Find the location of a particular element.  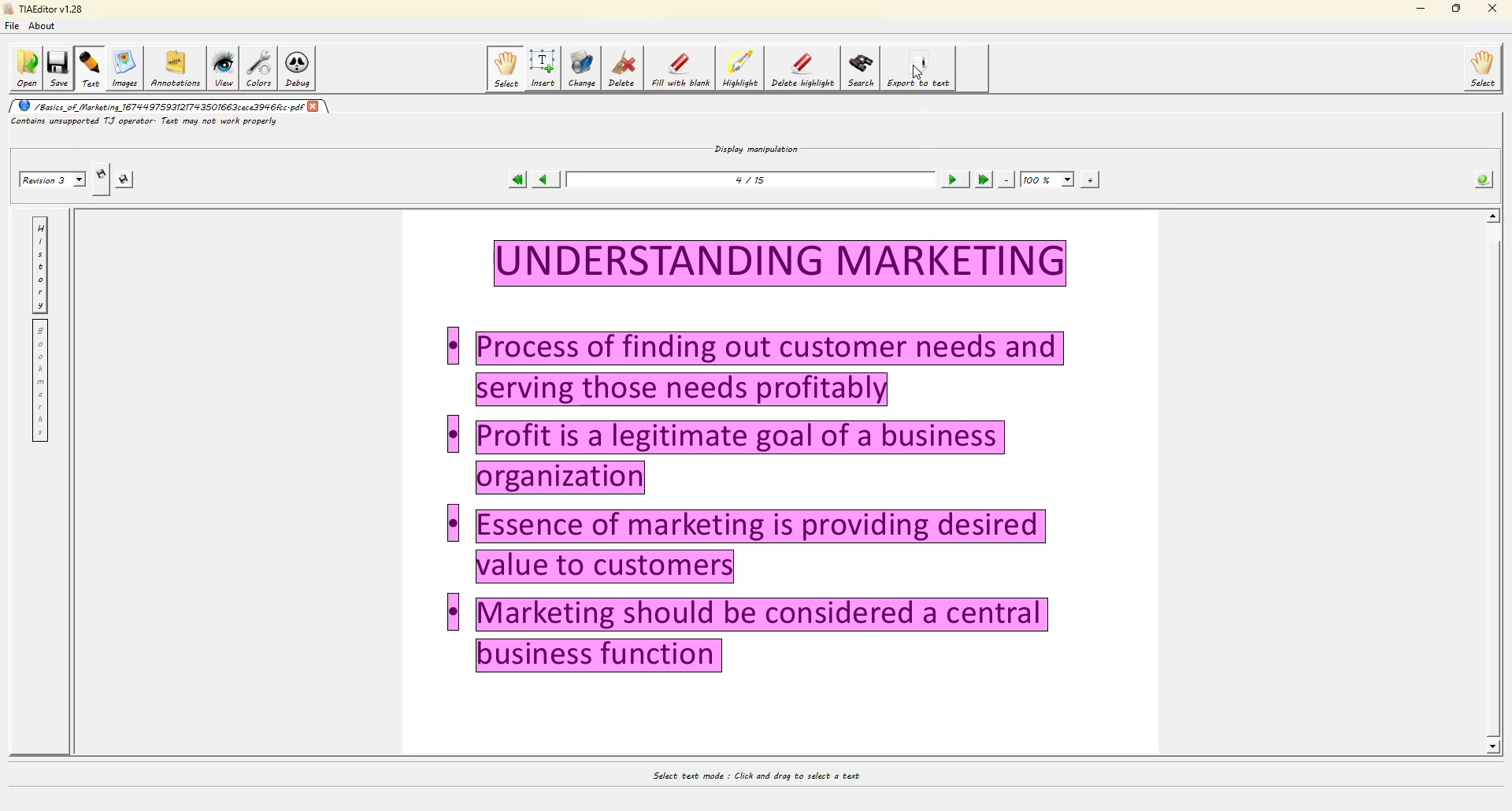

editor is located at coordinates (46, 9).